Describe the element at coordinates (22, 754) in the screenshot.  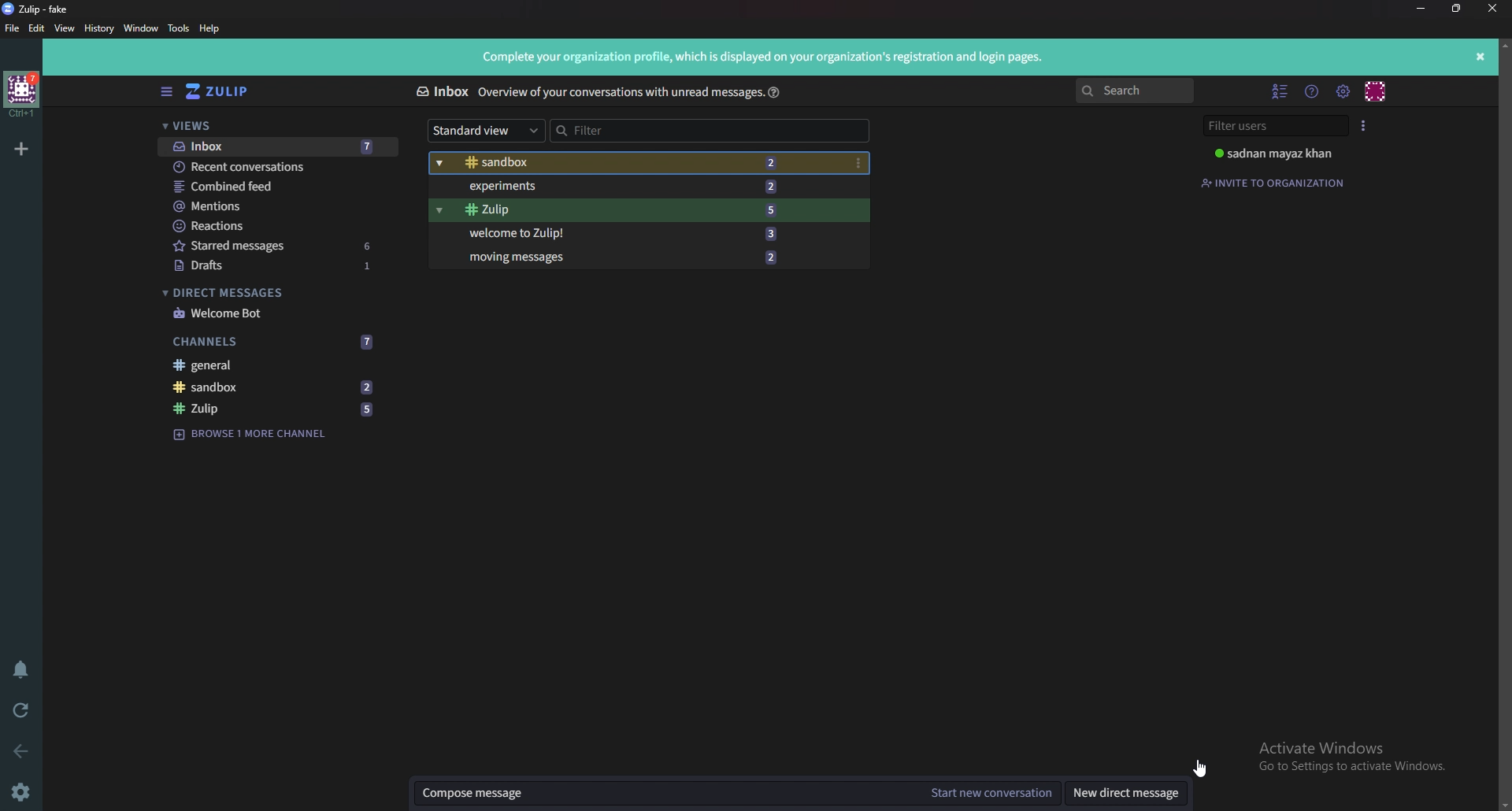
I see `Back` at that location.